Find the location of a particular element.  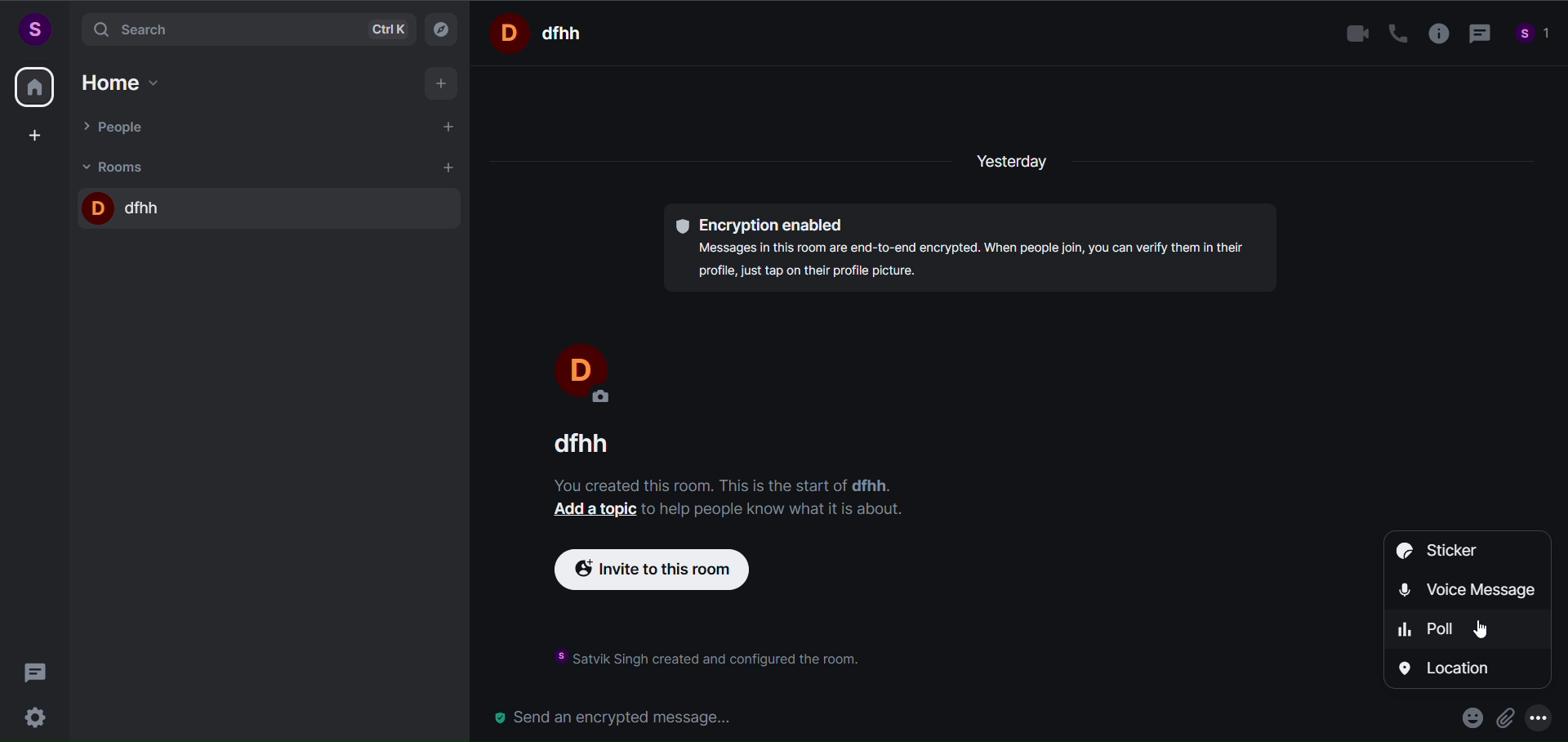

home is located at coordinates (34, 87).